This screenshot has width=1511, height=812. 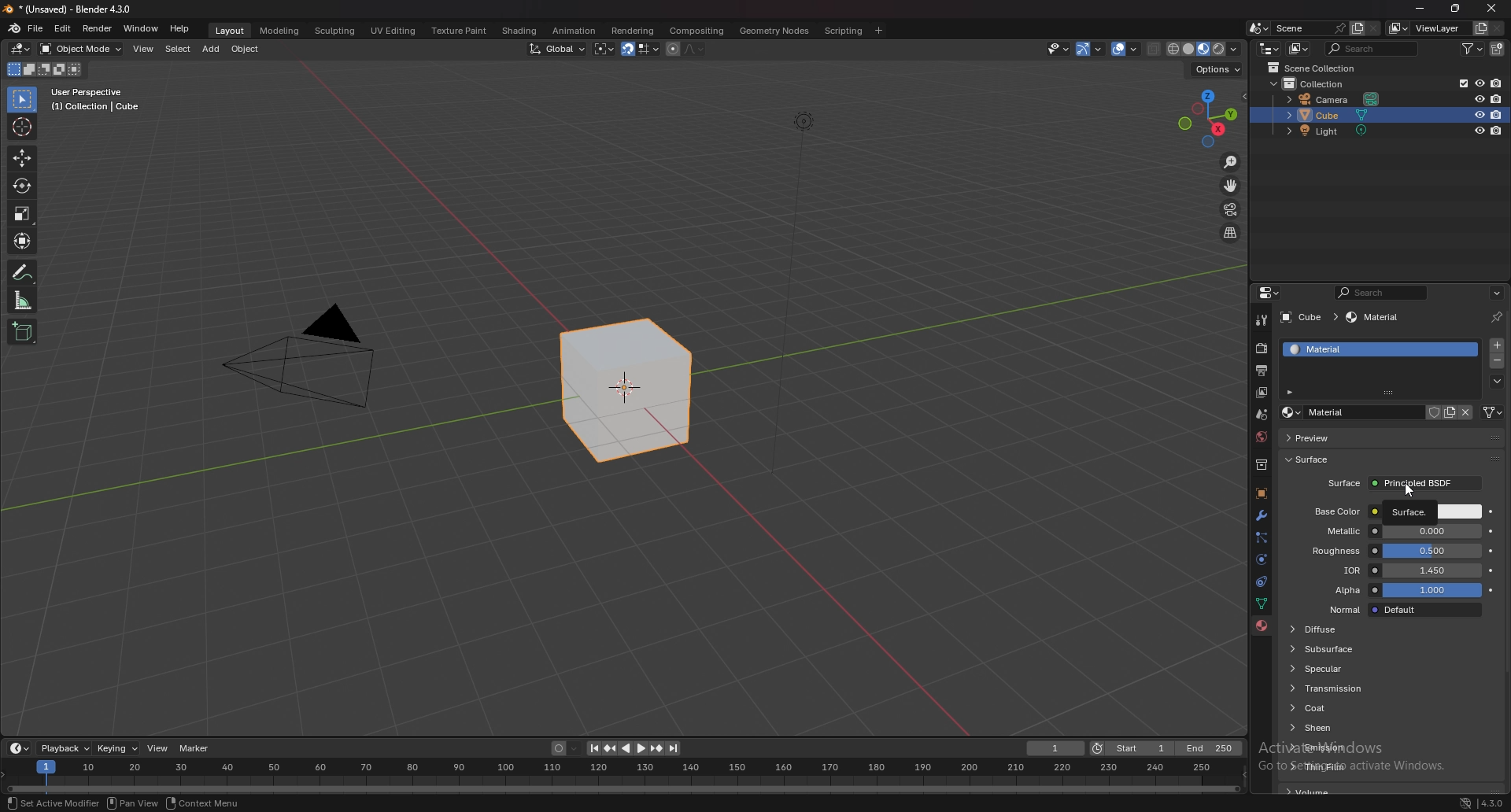 I want to click on surface, so click(x=1406, y=484).